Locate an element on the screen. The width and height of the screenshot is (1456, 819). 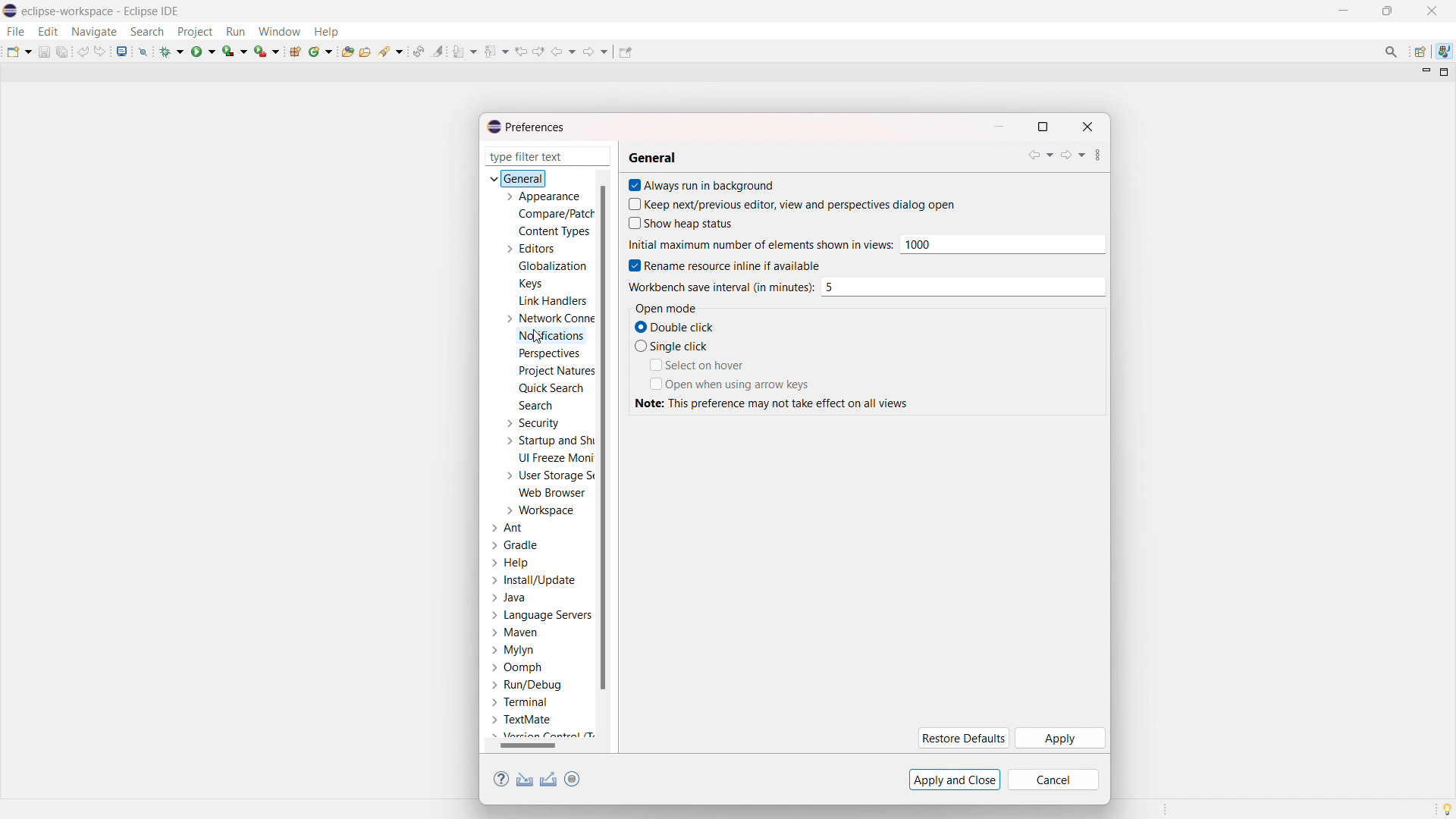
horizontal scrollbar is located at coordinates (528, 745).